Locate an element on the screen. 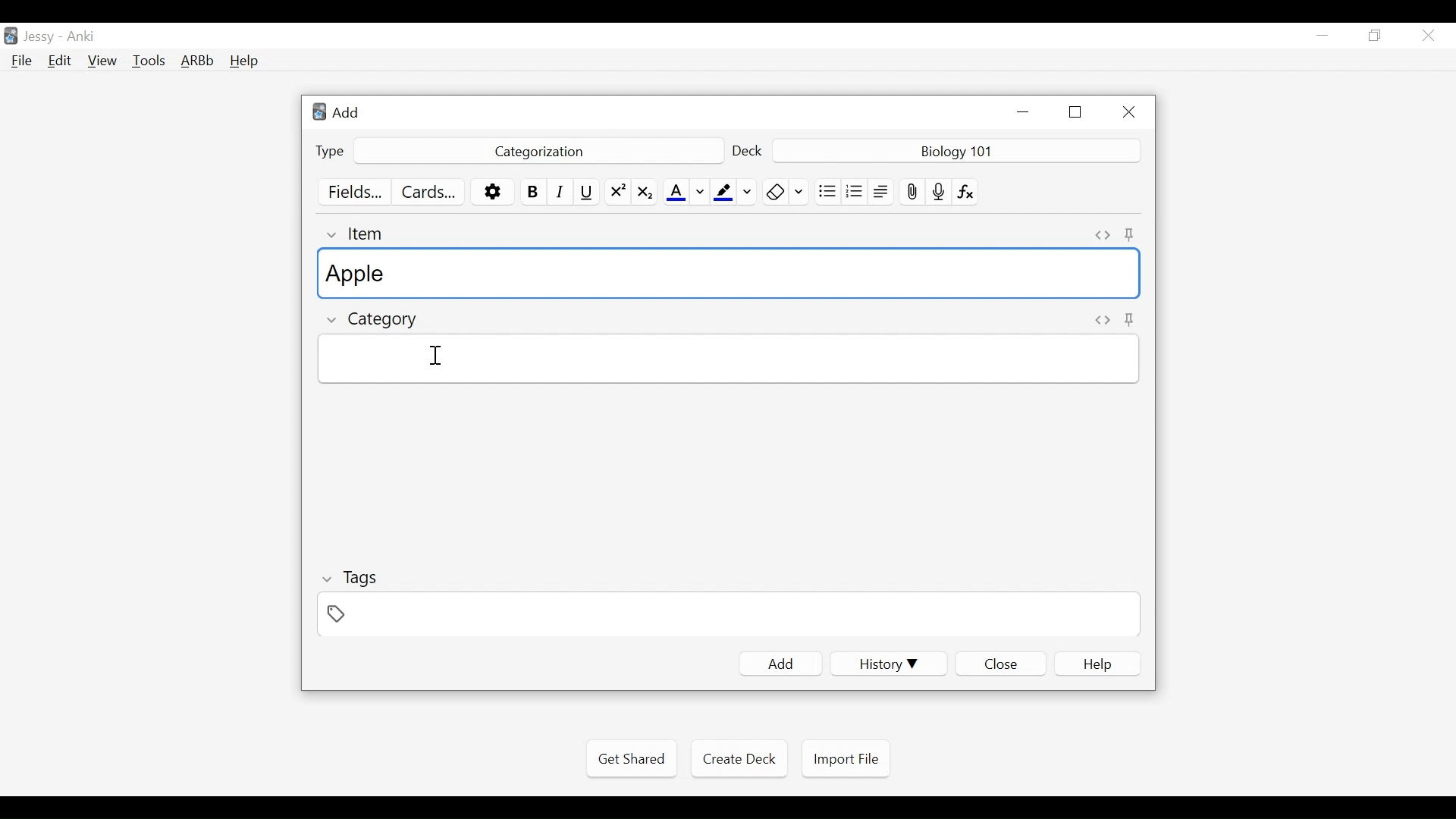 The height and width of the screenshot is (819, 1456). minimize is located at coordinates (1322, 36).